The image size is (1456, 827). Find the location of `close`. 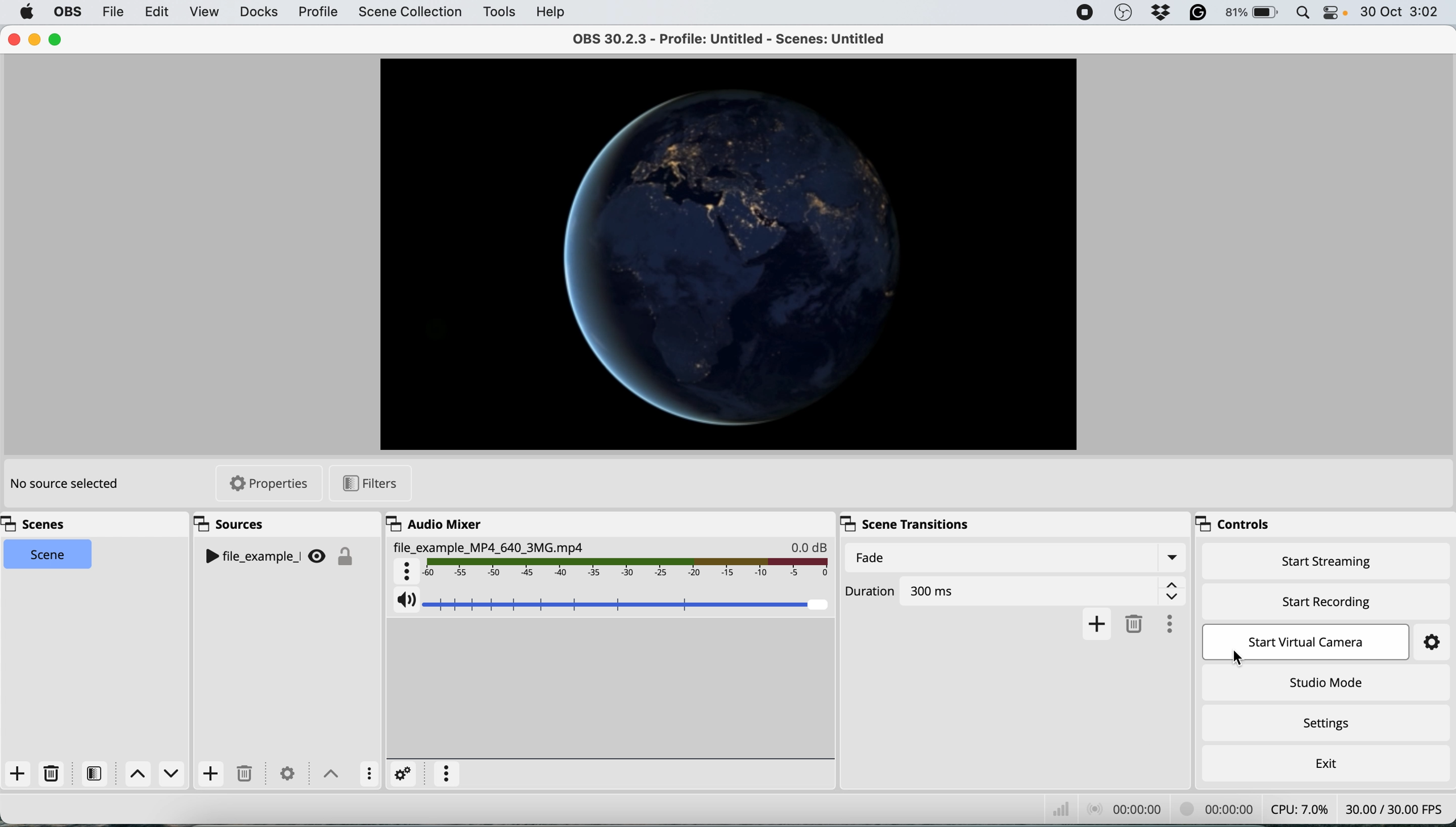

close is located at coordinates (14, 39).